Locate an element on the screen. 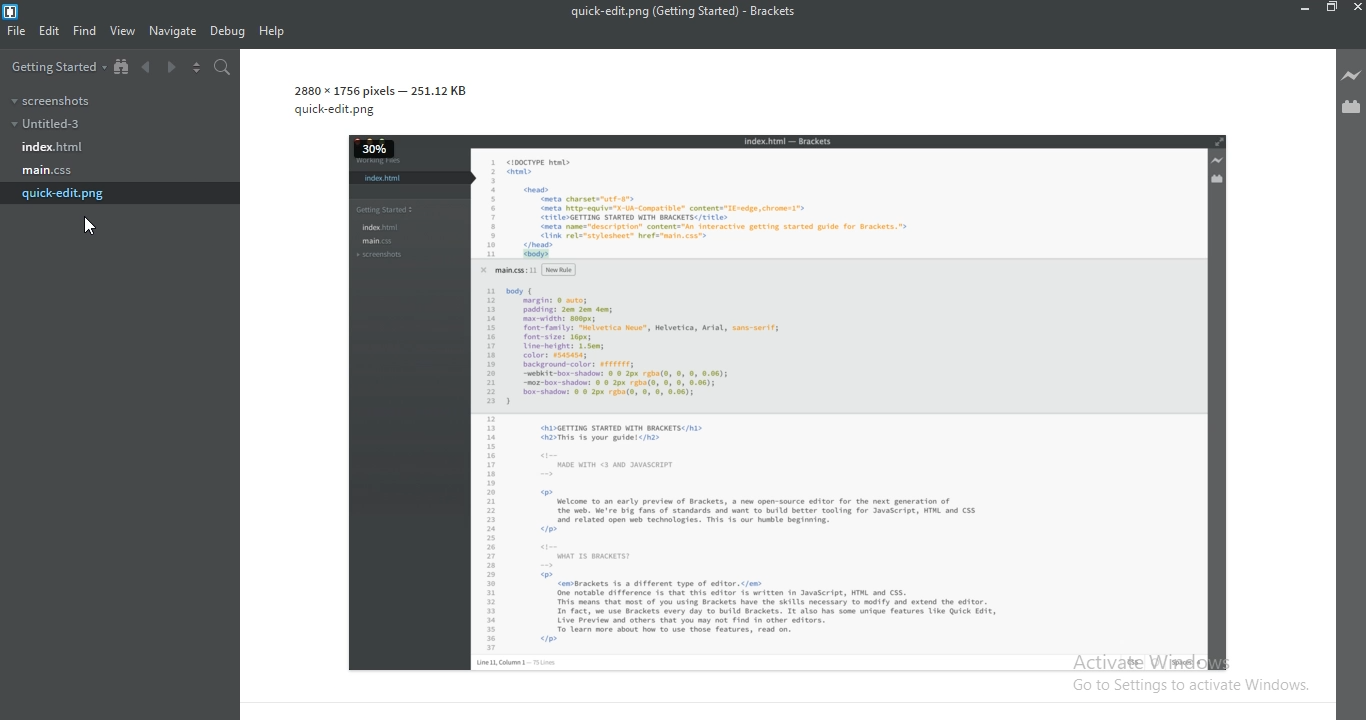  forward is located at coordinates (173, 69).